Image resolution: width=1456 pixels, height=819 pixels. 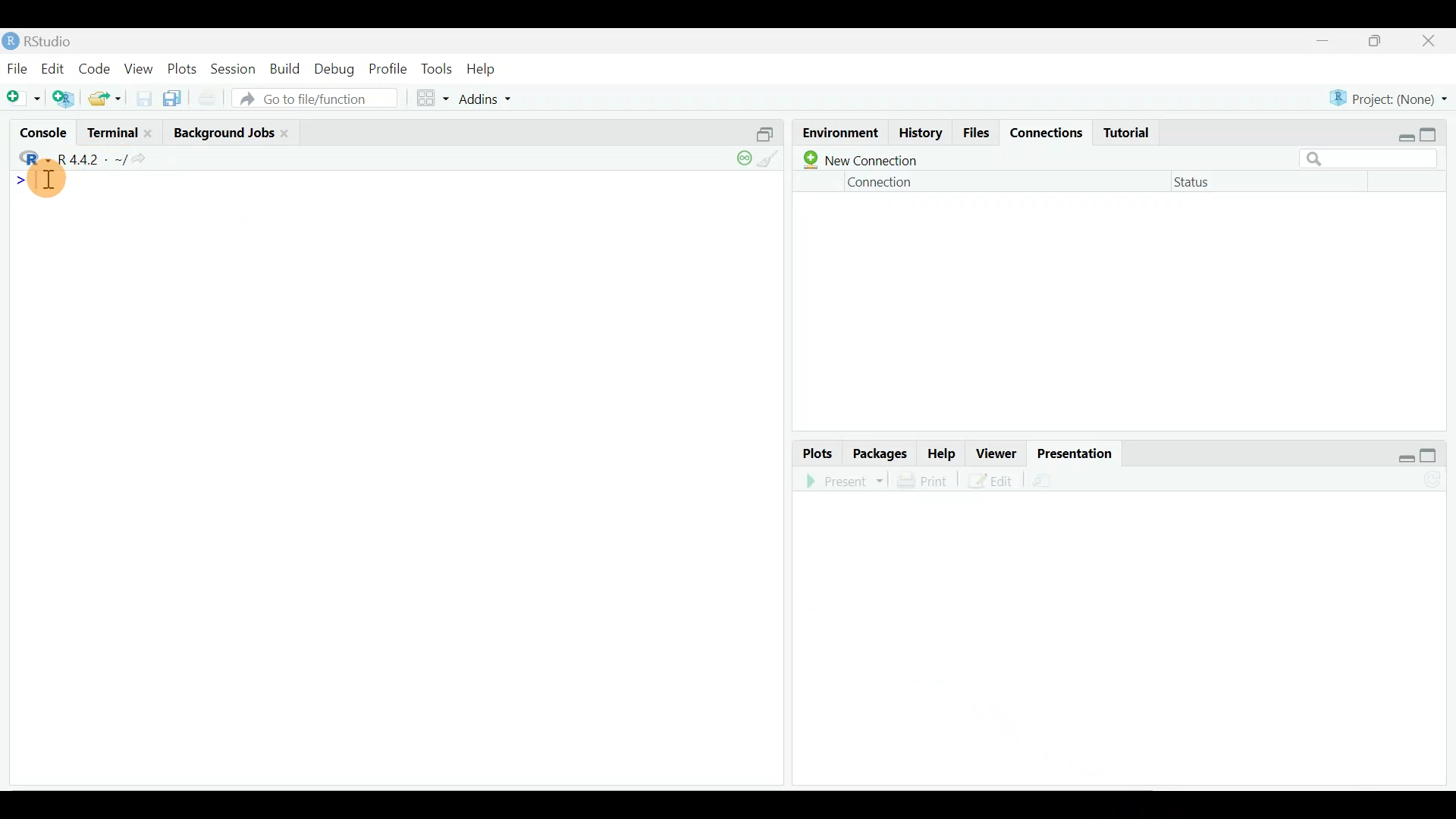 What do you see at coordinates (761, 135) in the screenshot?
I see `Split` at bounding box center [761, 135].